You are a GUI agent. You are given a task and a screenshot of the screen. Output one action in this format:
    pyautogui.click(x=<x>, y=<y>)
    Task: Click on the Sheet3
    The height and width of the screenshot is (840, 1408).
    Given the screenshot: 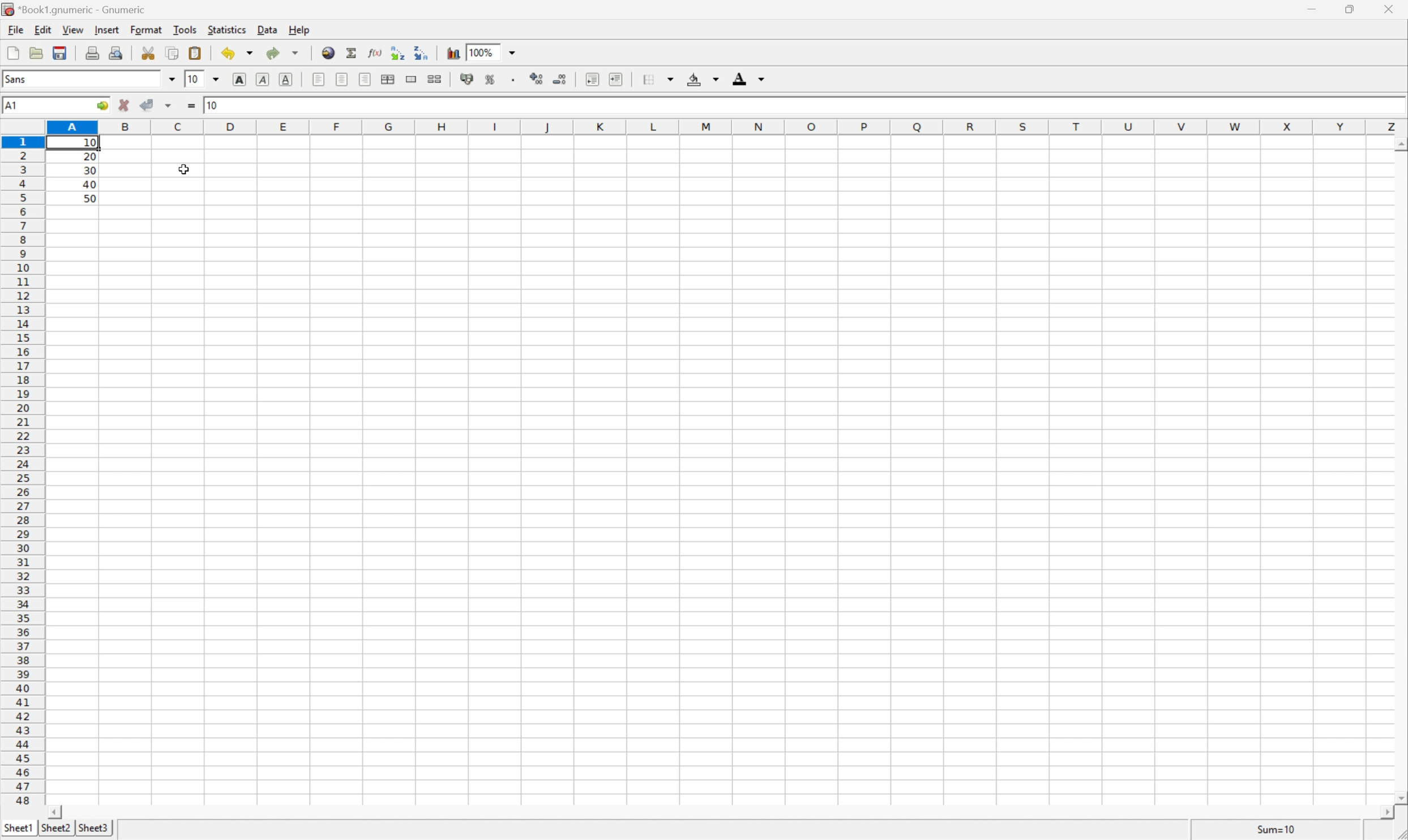 What is the action you would take?
    pyautogui.click(x=96, y=827)
    